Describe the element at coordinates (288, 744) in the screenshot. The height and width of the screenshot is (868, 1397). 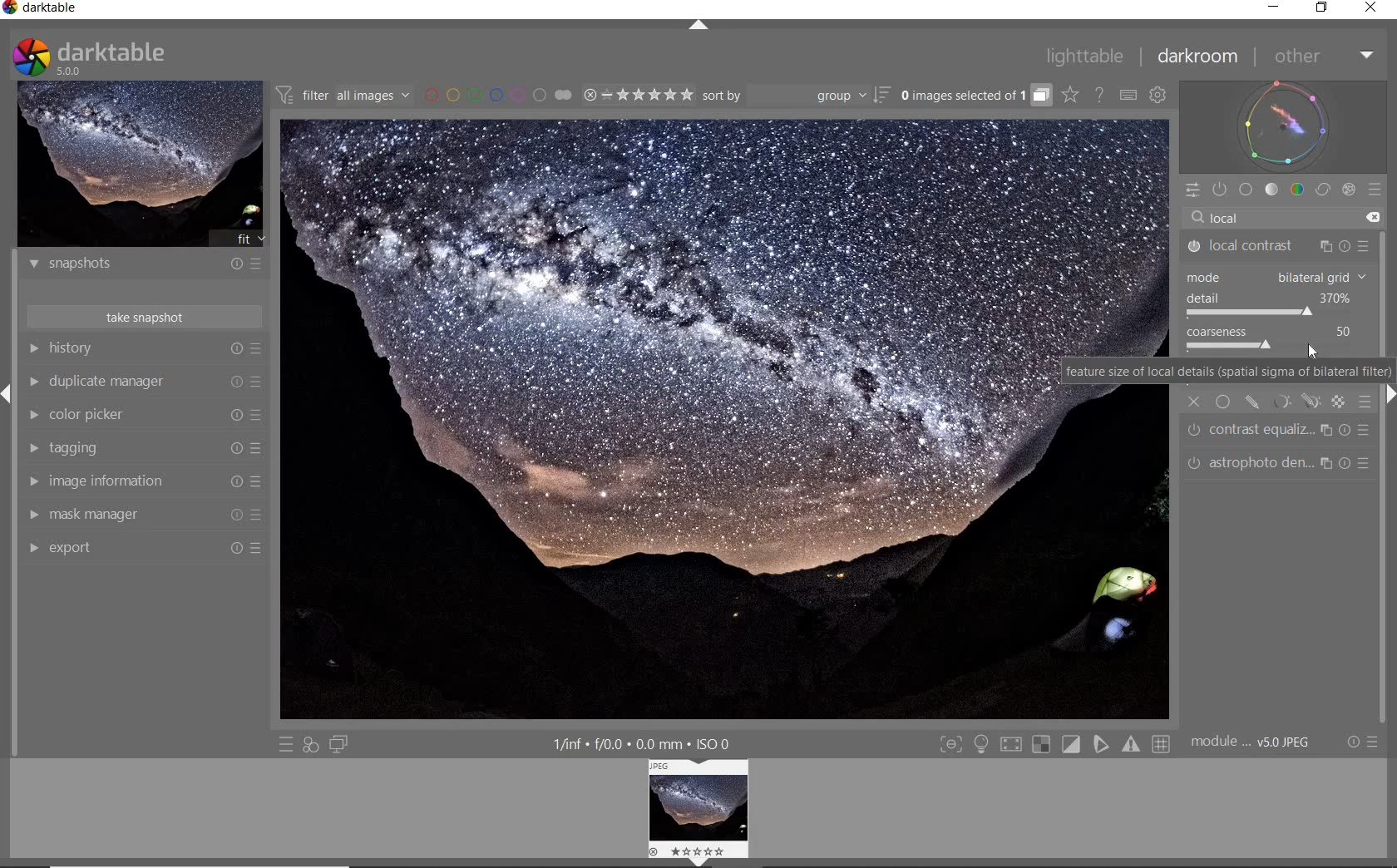
I see `QUICK ACCESS TO PRESET` at that location.